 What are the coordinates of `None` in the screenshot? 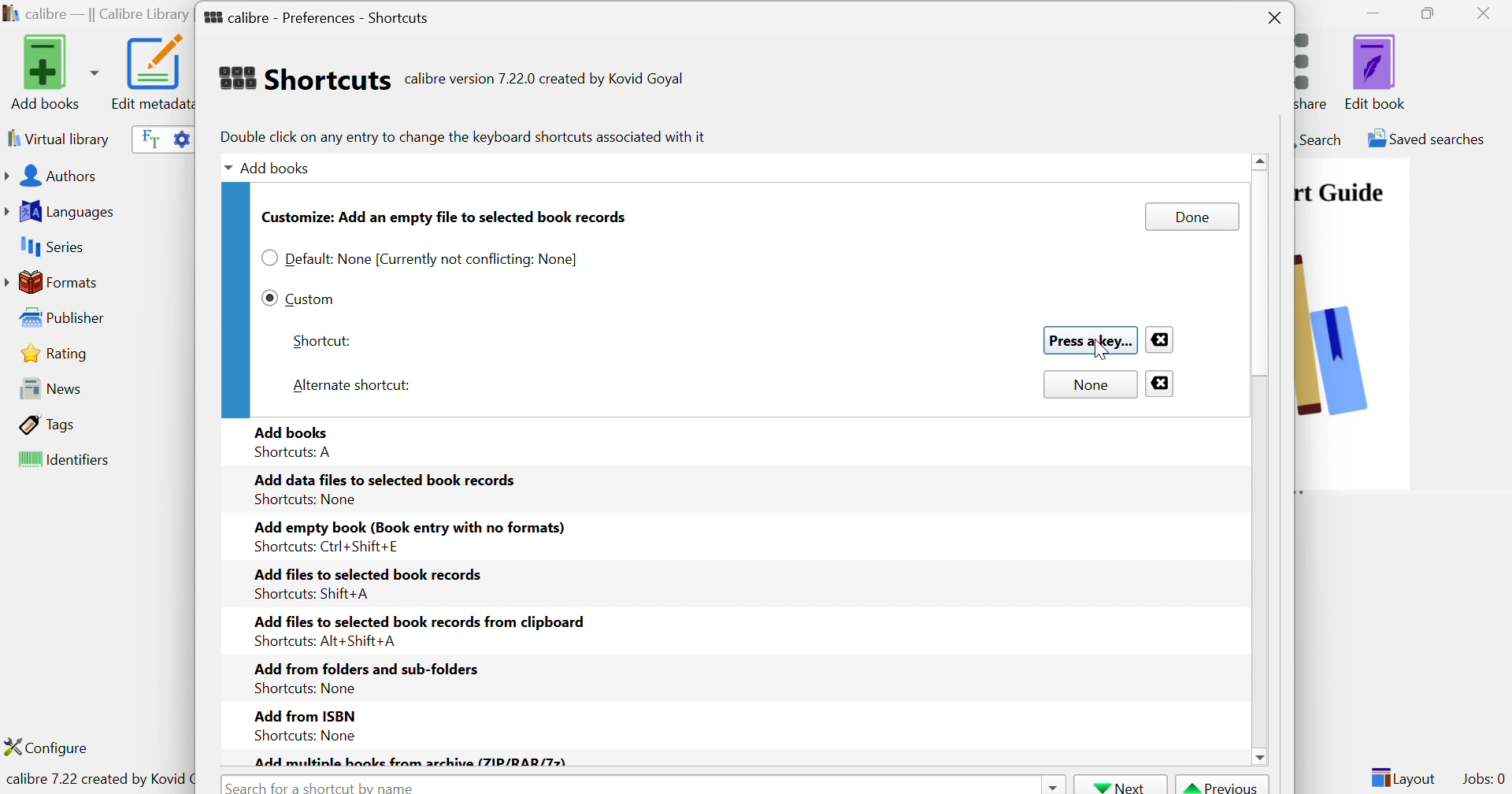 It's located at (1091, 385).